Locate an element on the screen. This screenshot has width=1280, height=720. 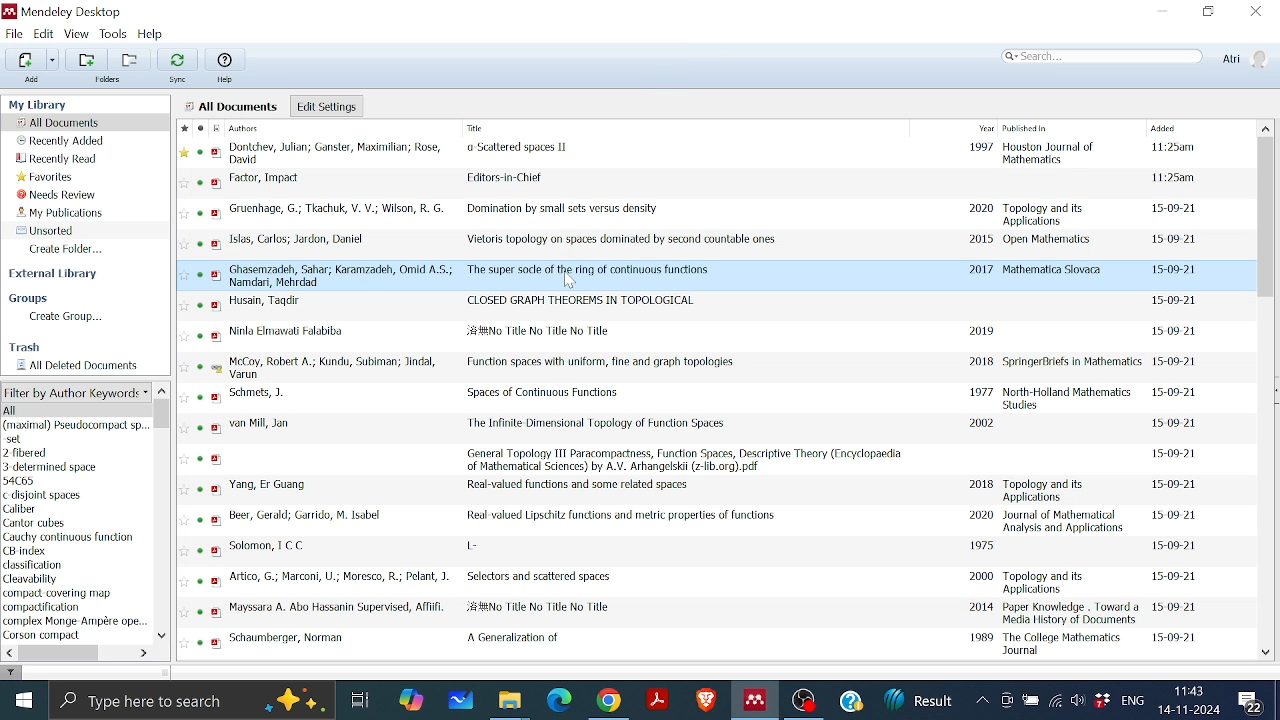
Ninla Elmawali Falabiba Document is located at coordinates (708, 335).